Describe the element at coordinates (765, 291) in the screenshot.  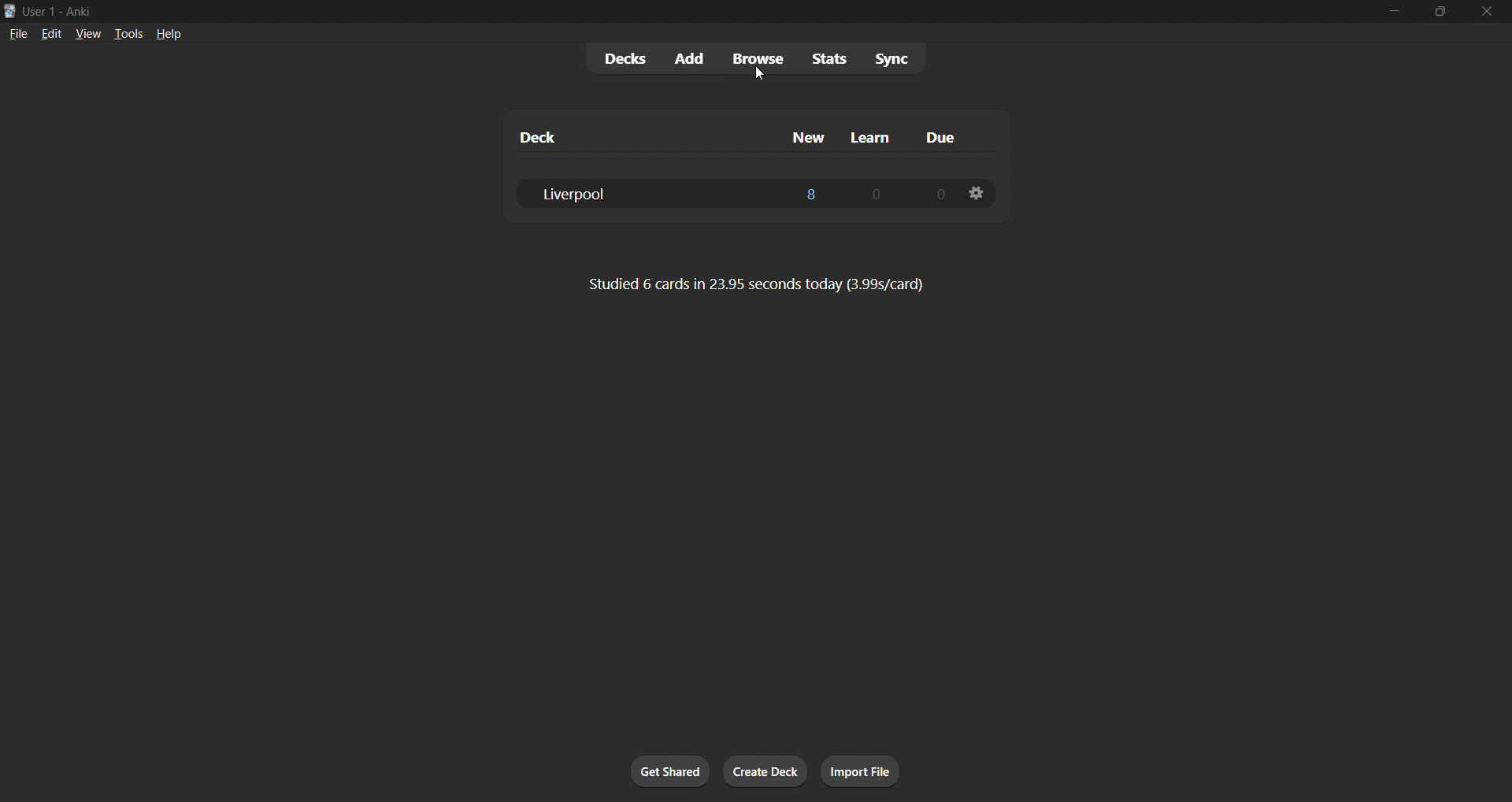
I see `Studied 6 cards in 23.95 seconds today (3.99s/card)` at that location.